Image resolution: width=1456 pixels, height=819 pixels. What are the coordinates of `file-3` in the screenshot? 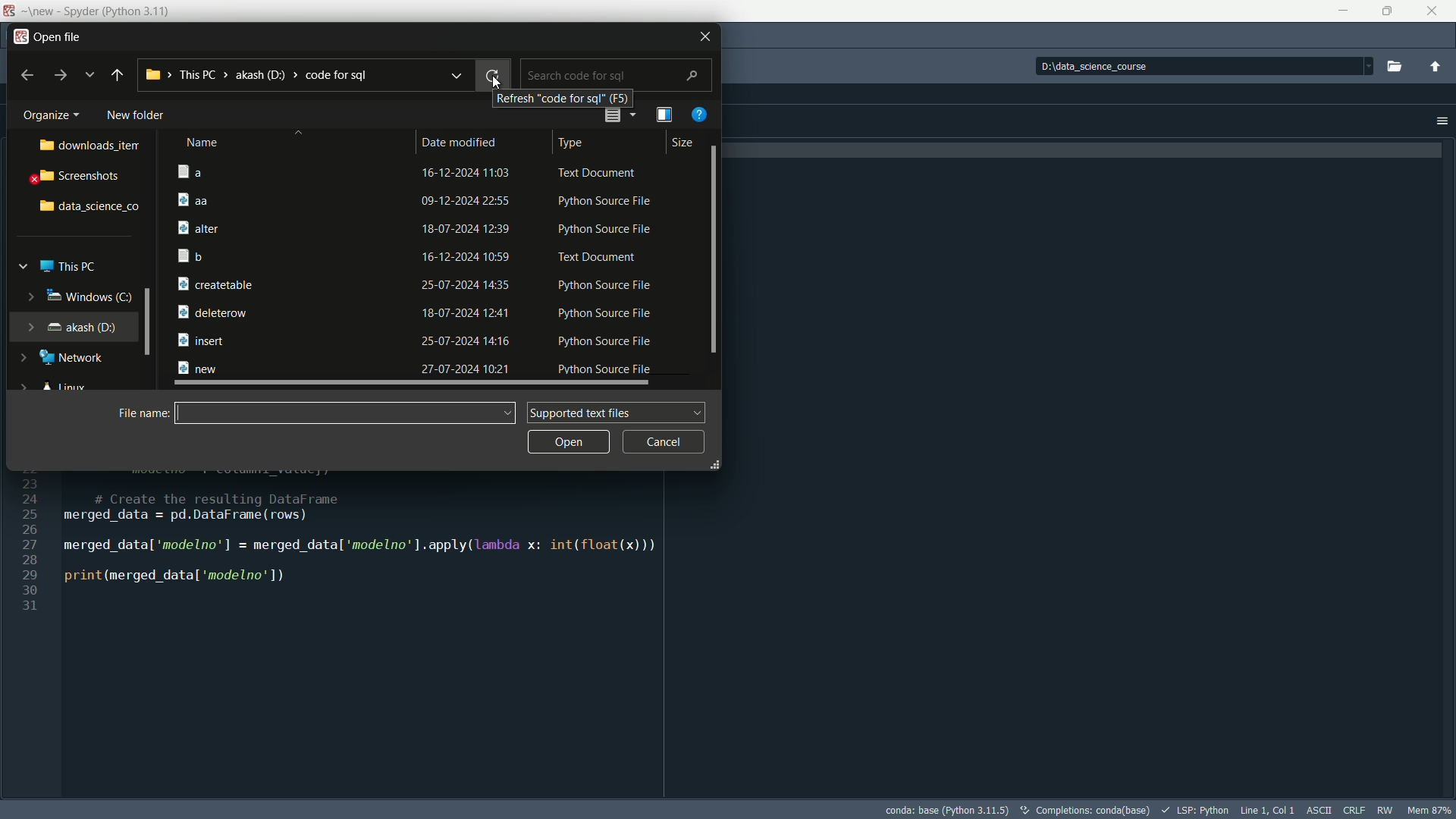 It's located at (418, 230).